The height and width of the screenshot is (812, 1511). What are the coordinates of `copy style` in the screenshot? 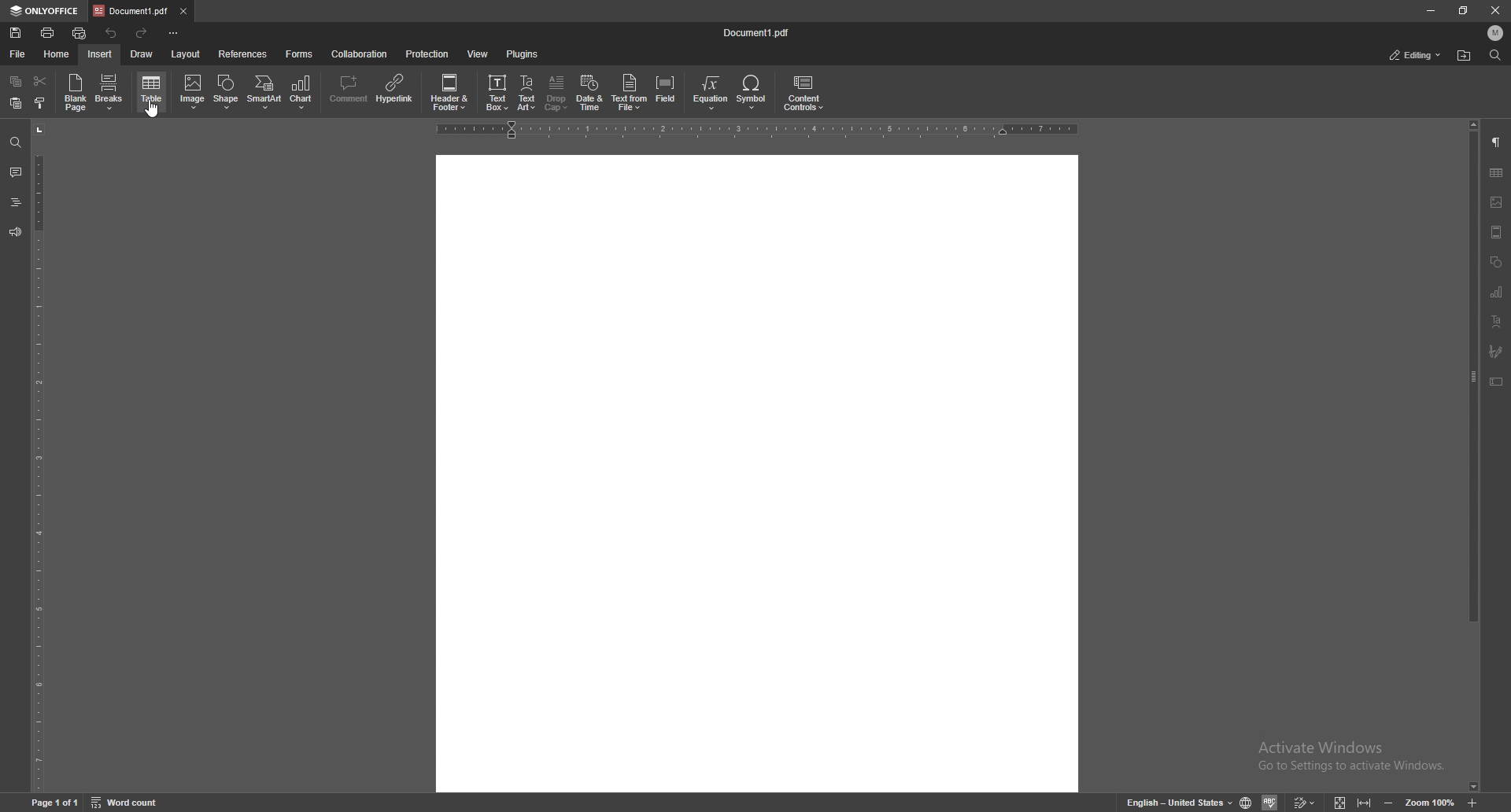 It's located at (41, 105).